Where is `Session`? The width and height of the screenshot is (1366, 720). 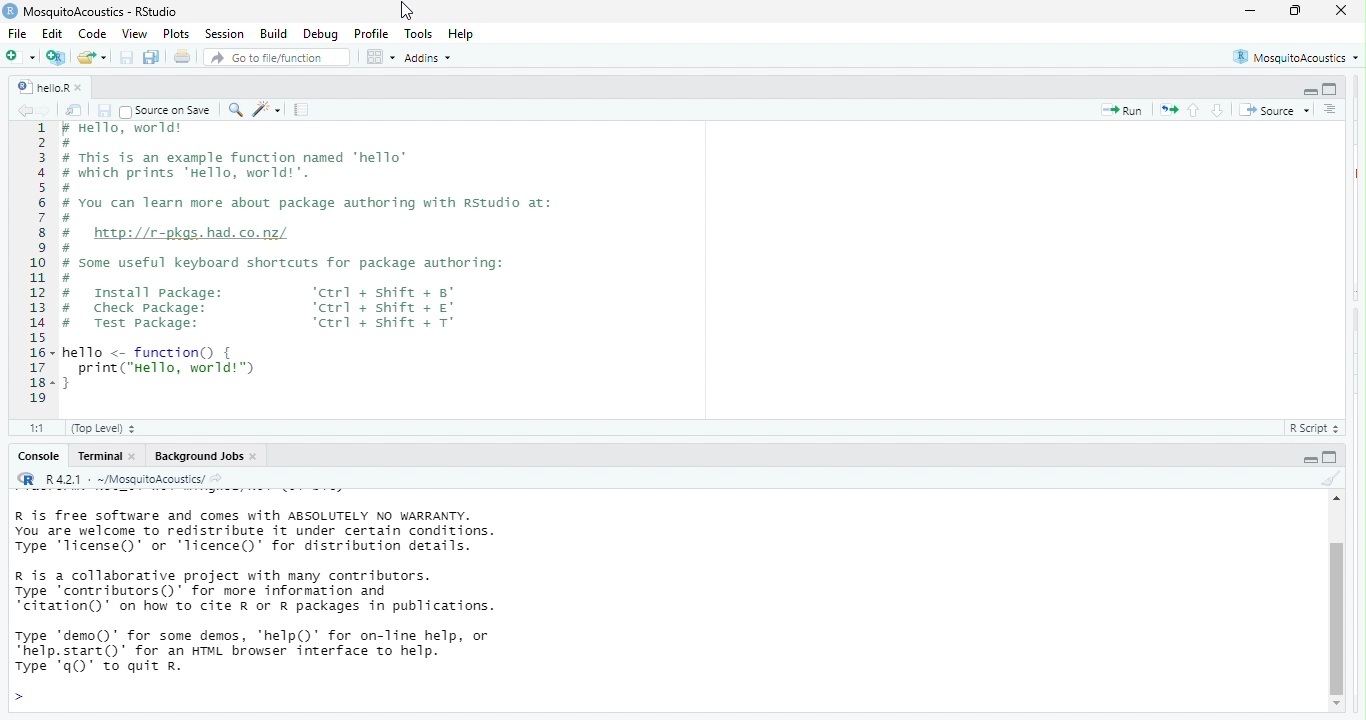
Session is located at coordinates (224, 34).